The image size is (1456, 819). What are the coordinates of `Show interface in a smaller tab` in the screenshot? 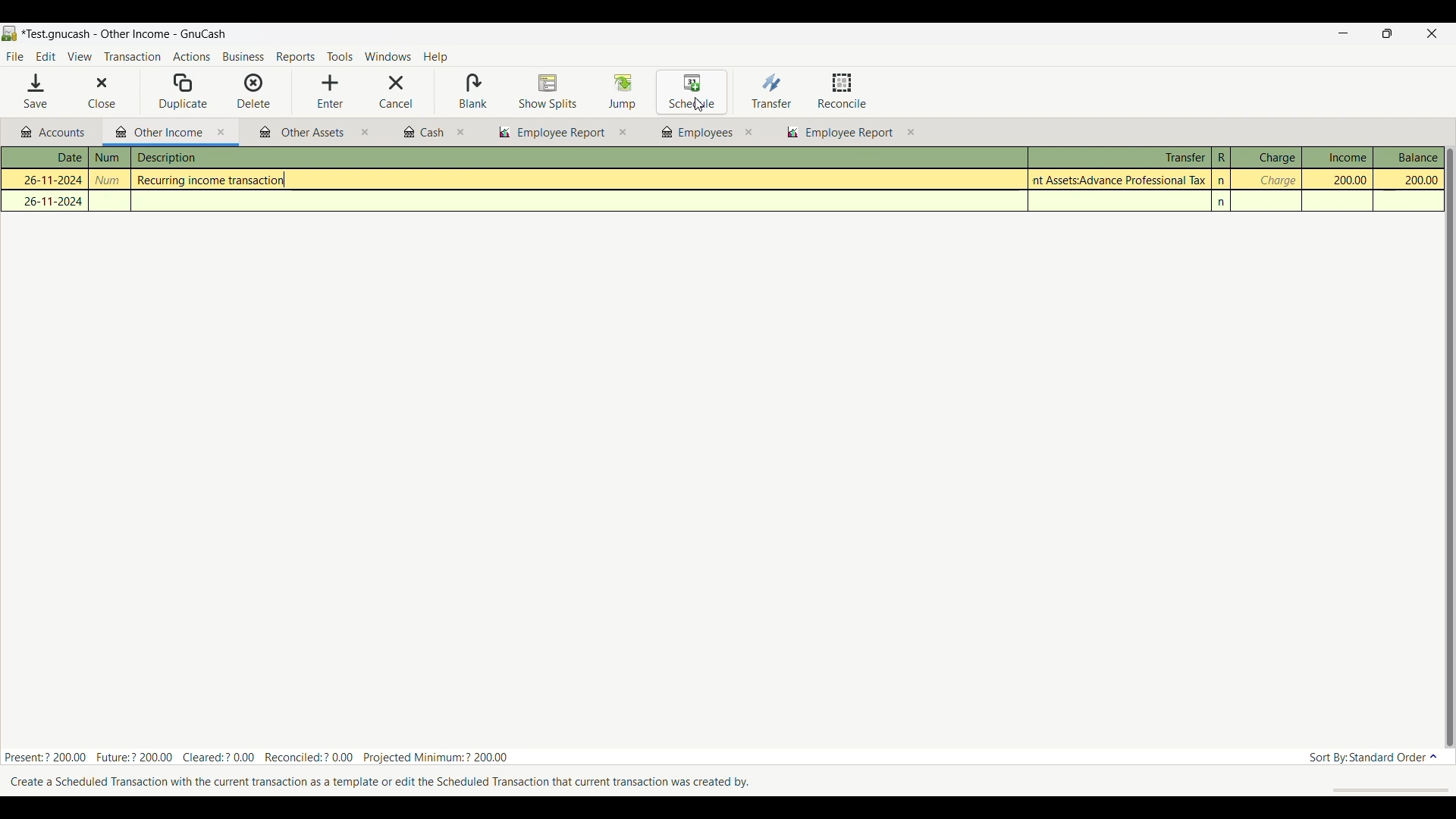 It's located at (1393, 35).